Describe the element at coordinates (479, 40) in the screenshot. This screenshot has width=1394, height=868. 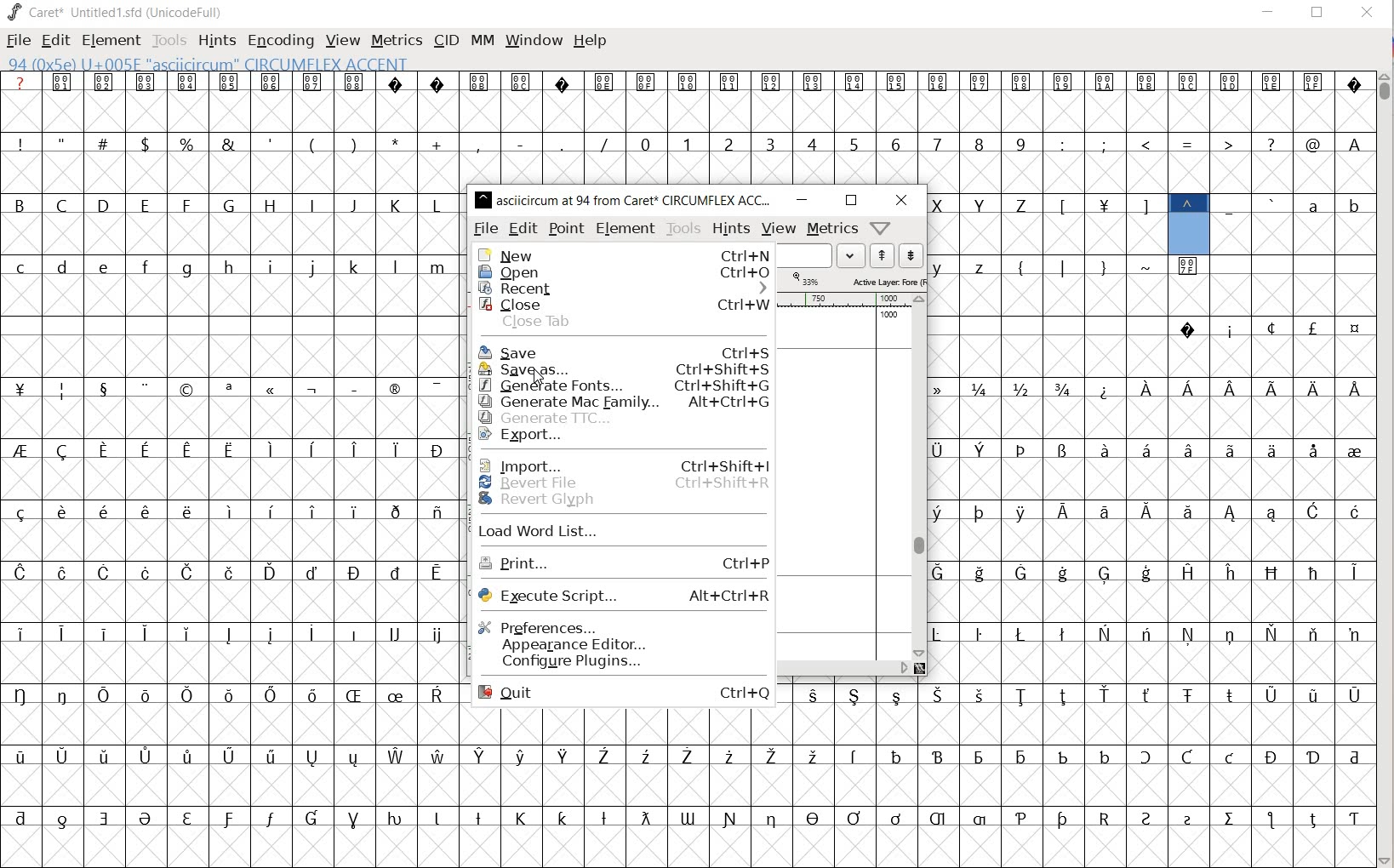
I see `MM` at that location.